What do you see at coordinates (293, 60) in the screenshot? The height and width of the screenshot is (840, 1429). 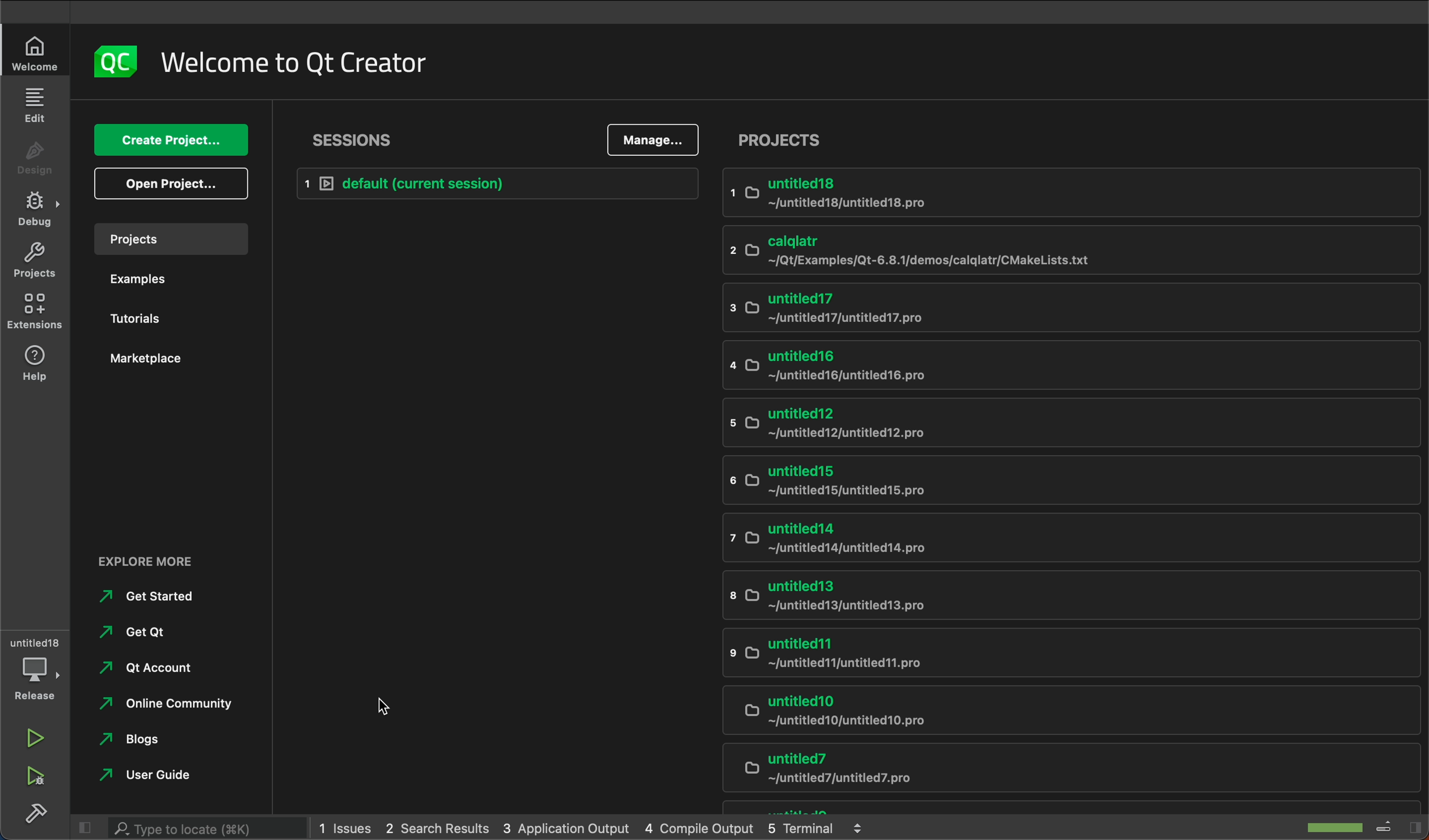 I see `welcome` at bounding box center [293, 60].